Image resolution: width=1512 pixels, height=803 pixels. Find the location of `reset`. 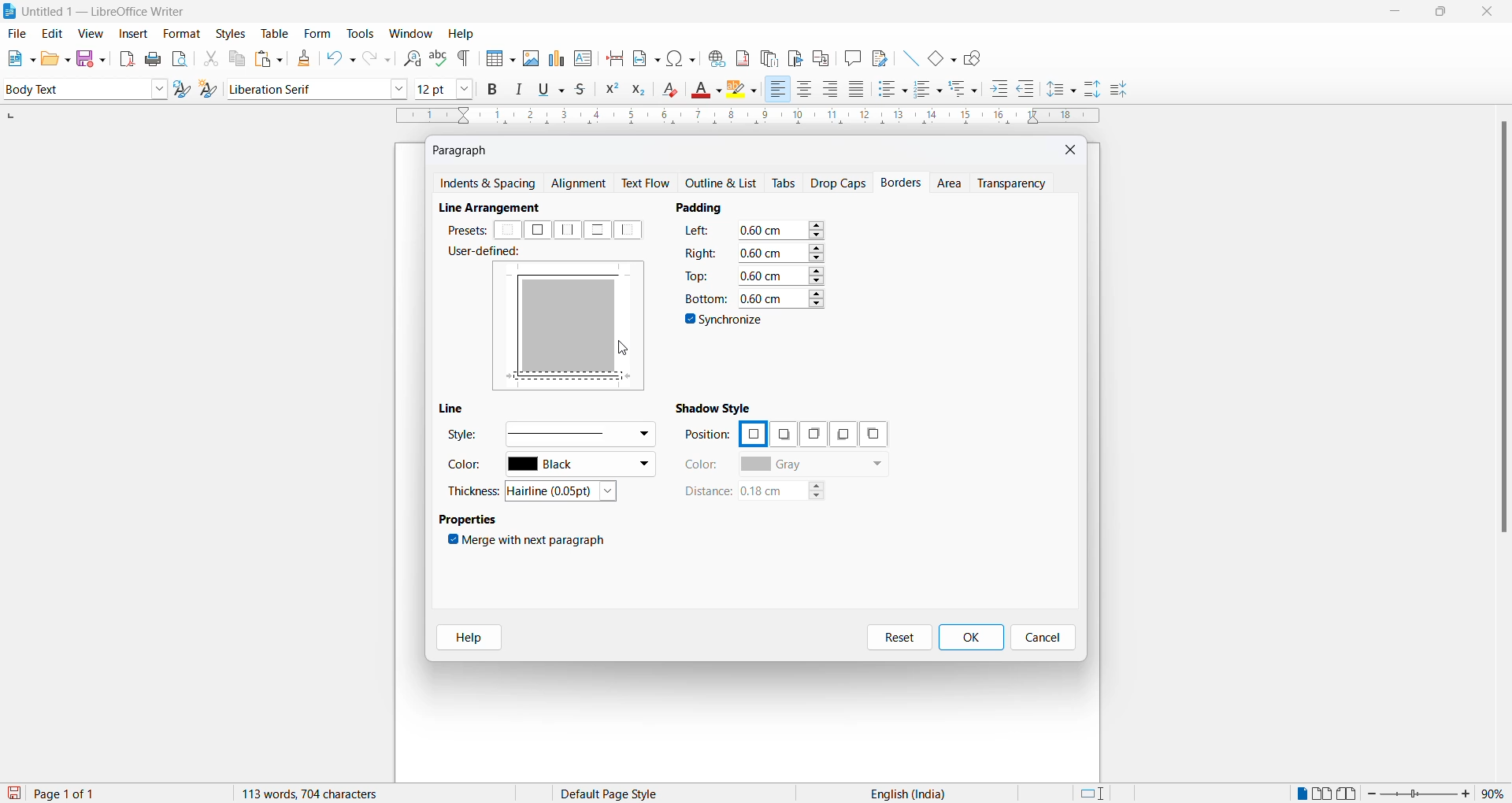

reset is located at coordinates (899, 638).